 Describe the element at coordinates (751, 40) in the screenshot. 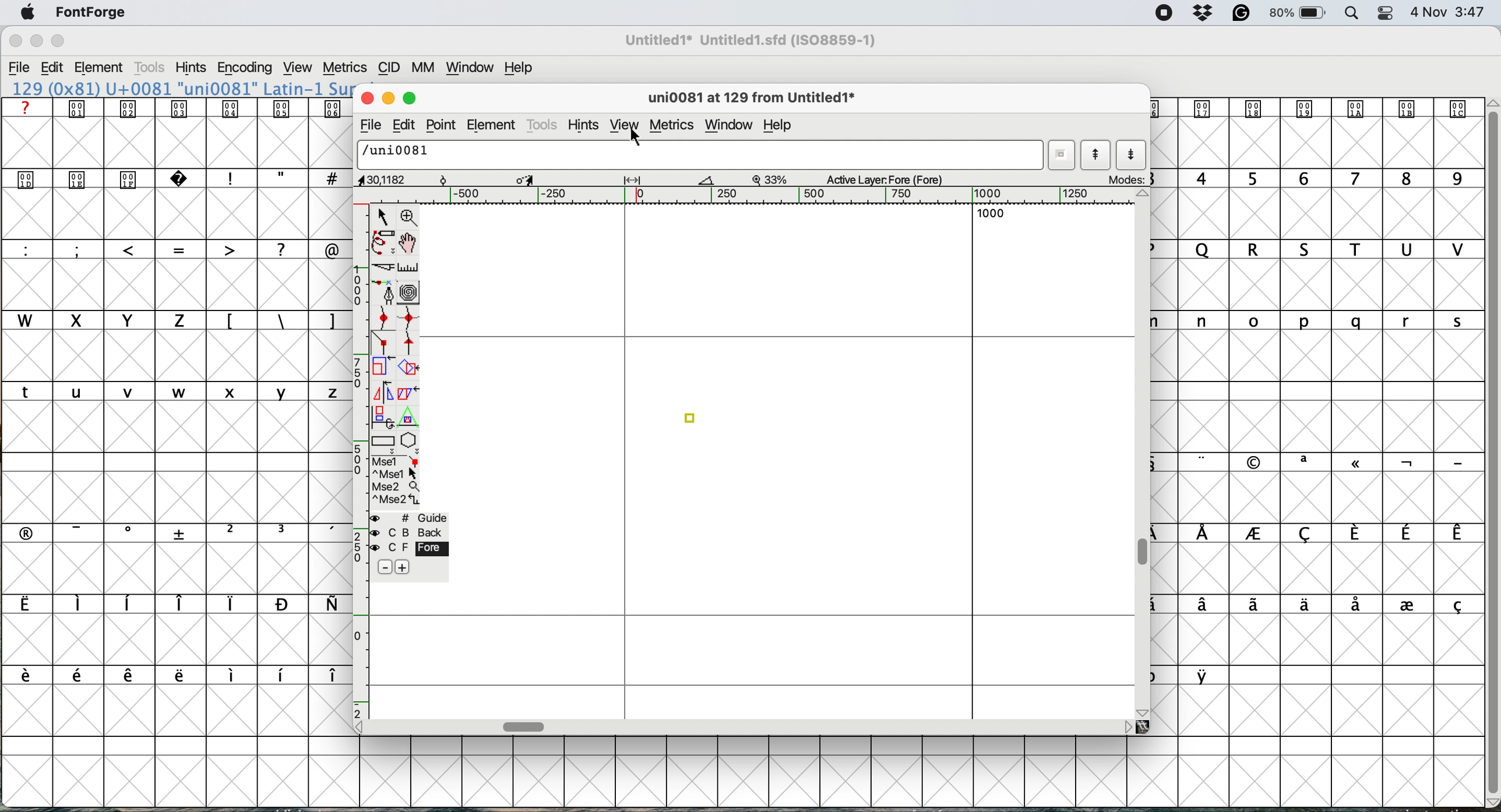

I see `Untitled1* Untitled1.sfd (ISO8859-1)` at that location.